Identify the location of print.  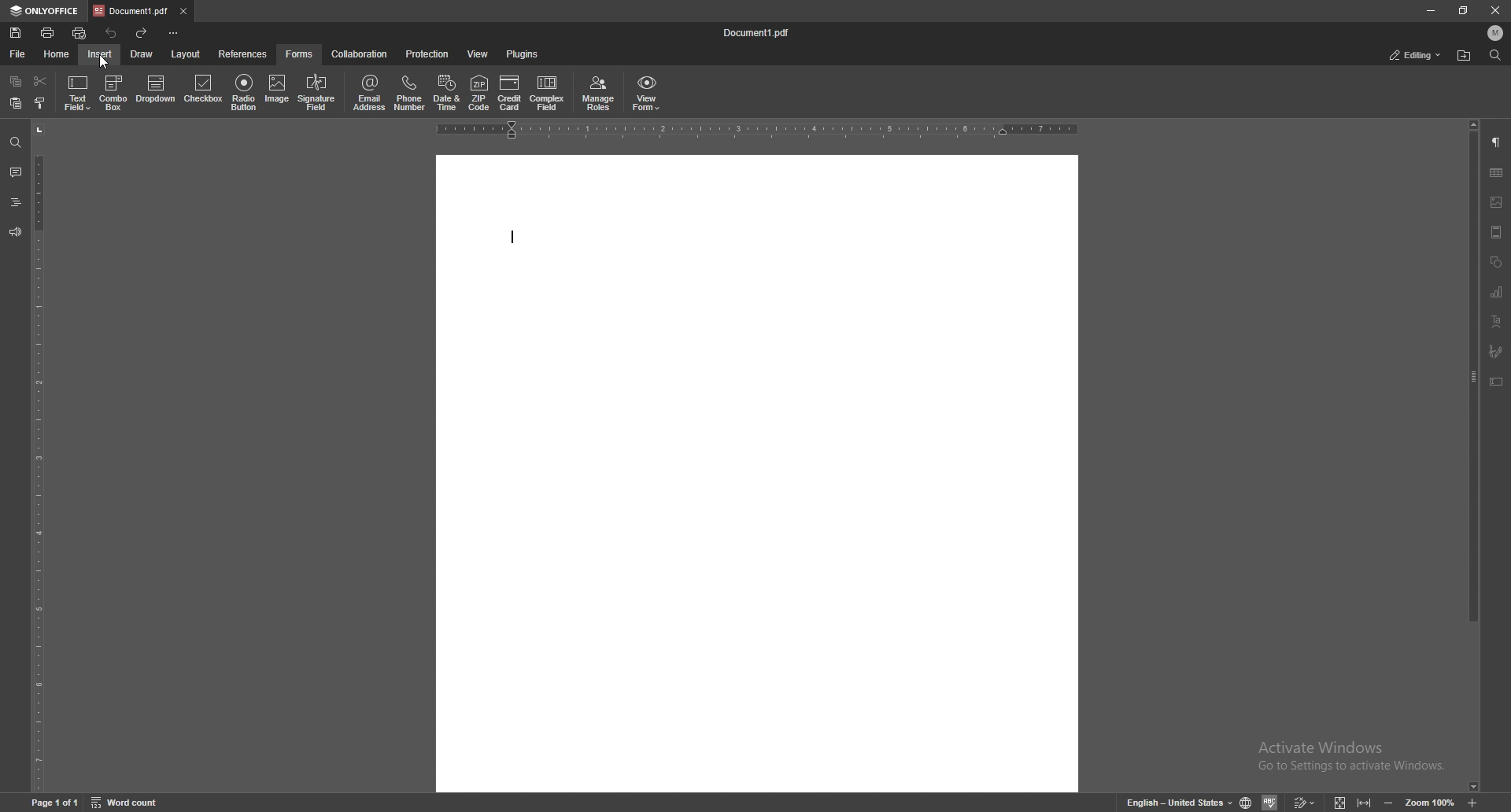
(47, 33).